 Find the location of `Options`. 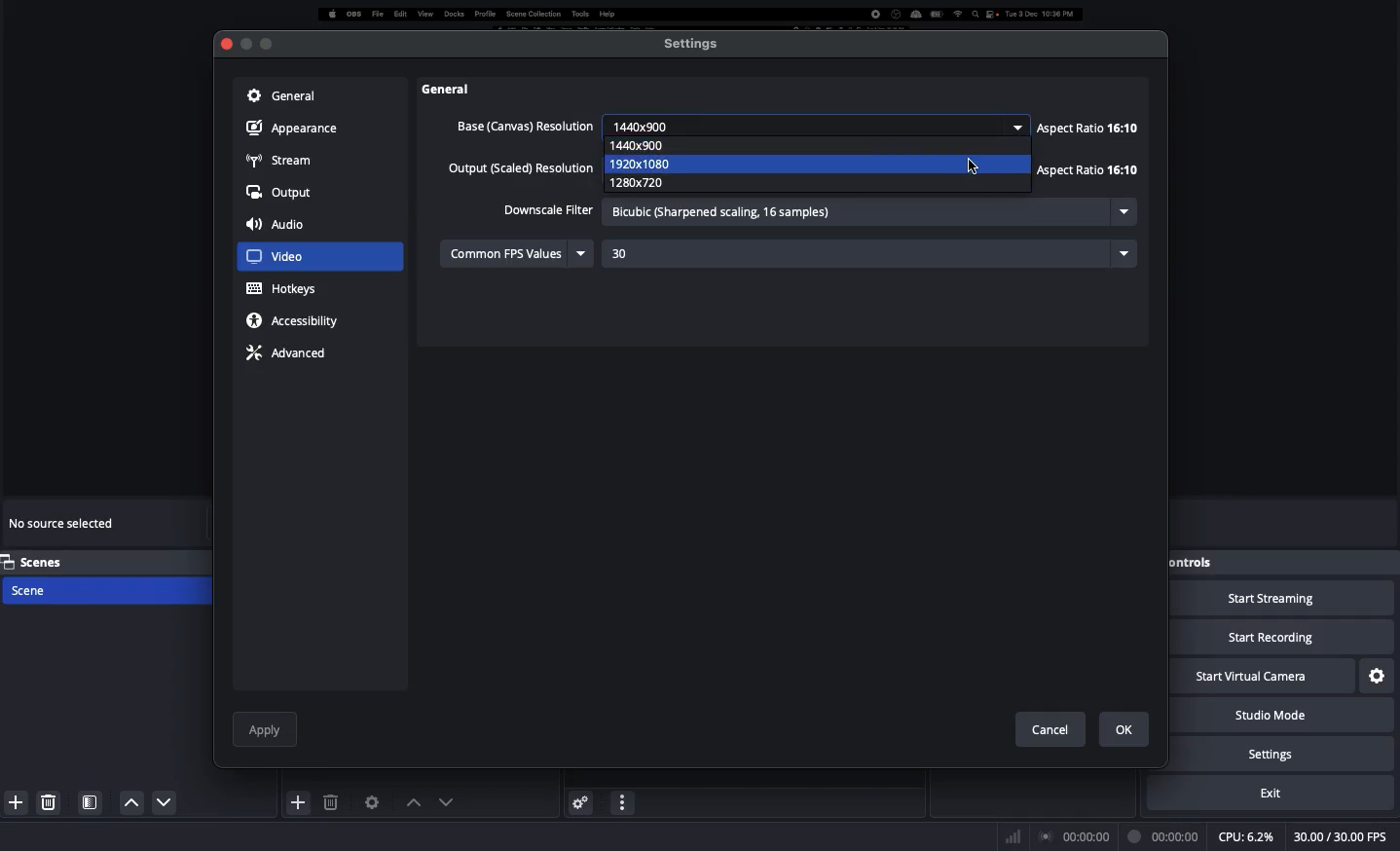

Options is located at coordinates (623, 800).